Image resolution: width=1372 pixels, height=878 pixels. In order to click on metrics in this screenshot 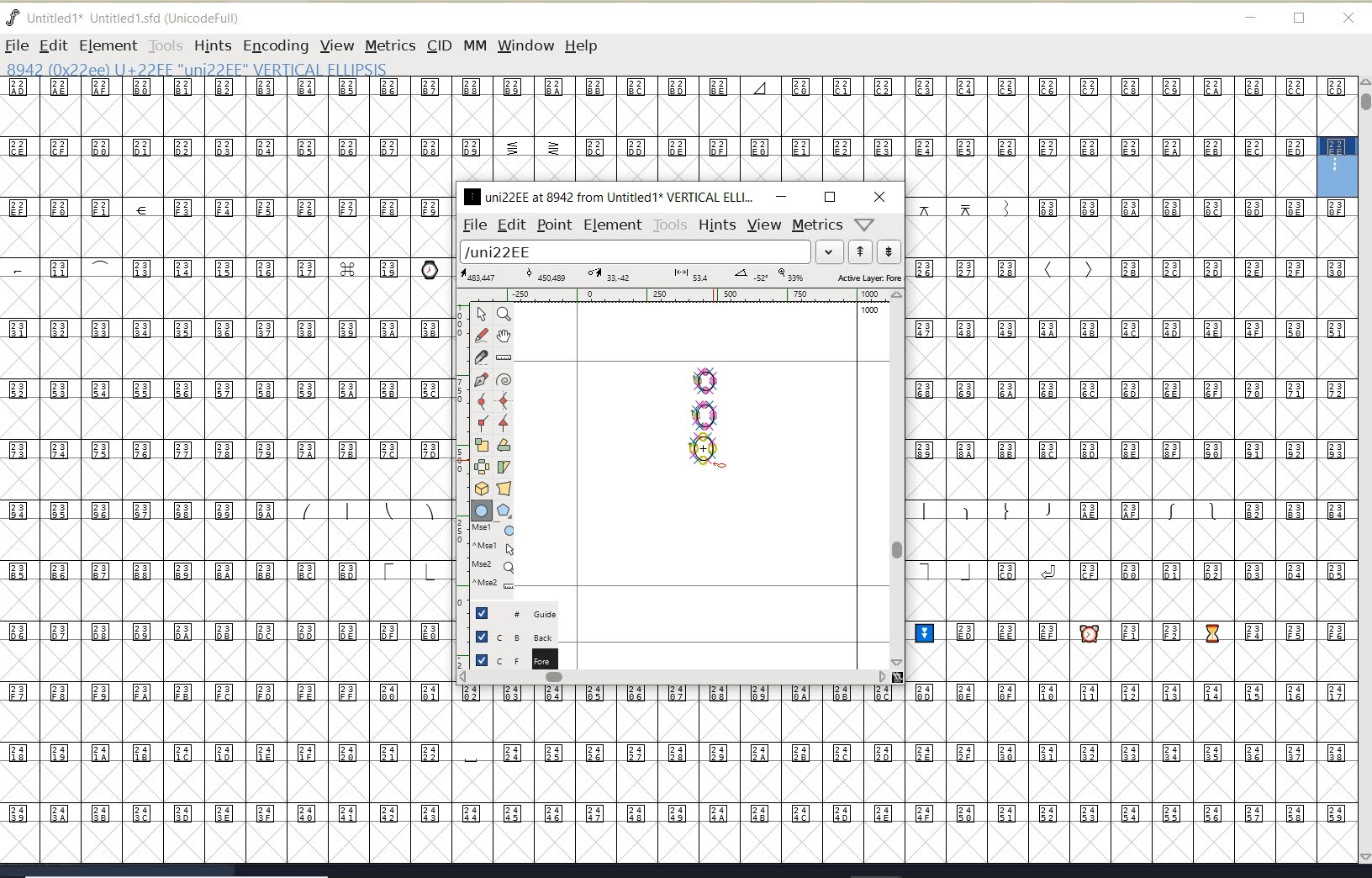, I will do `click(817, 225)`.